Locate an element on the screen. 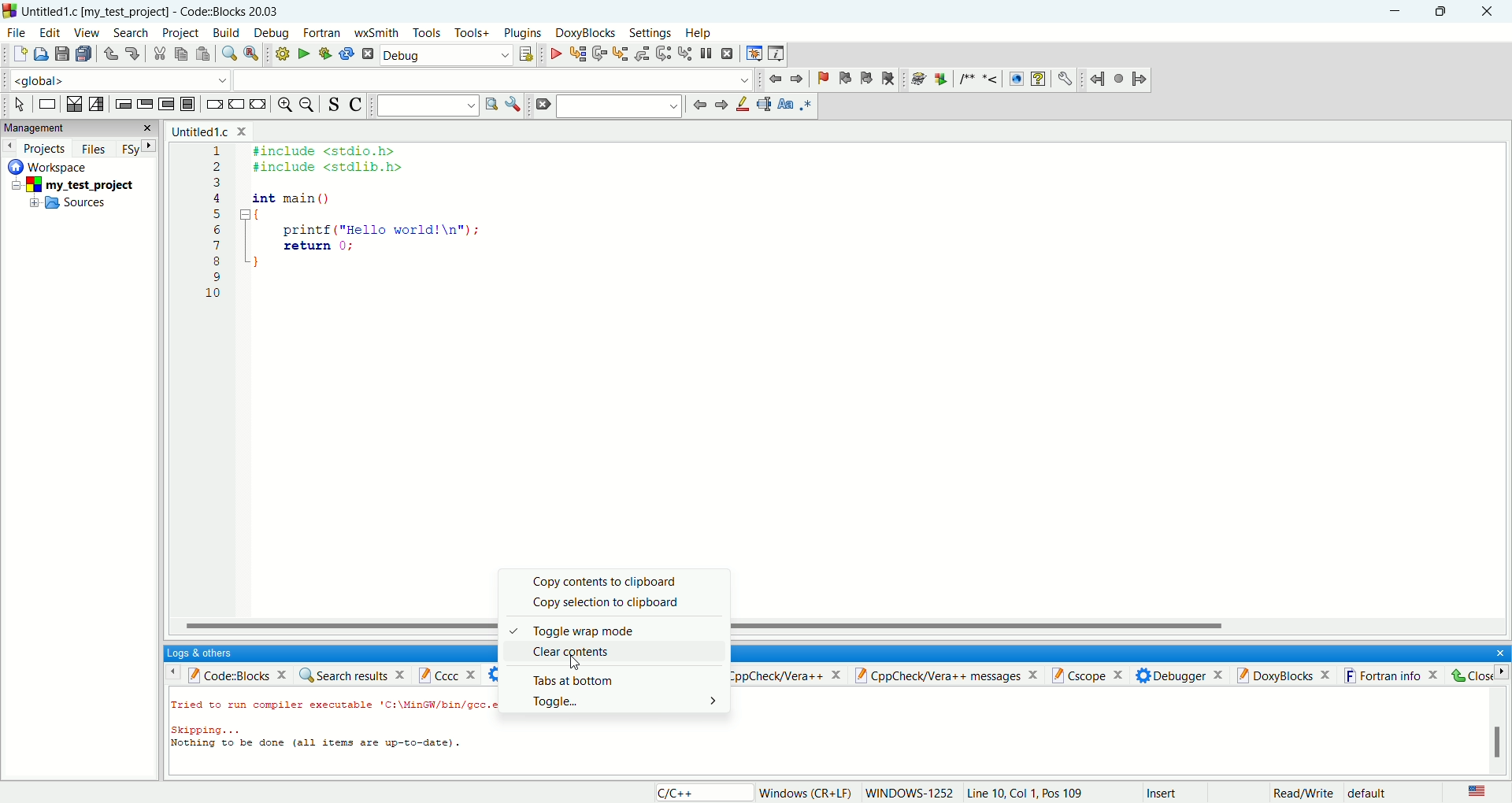  entry condition loop is located at coordinates (121, 103).